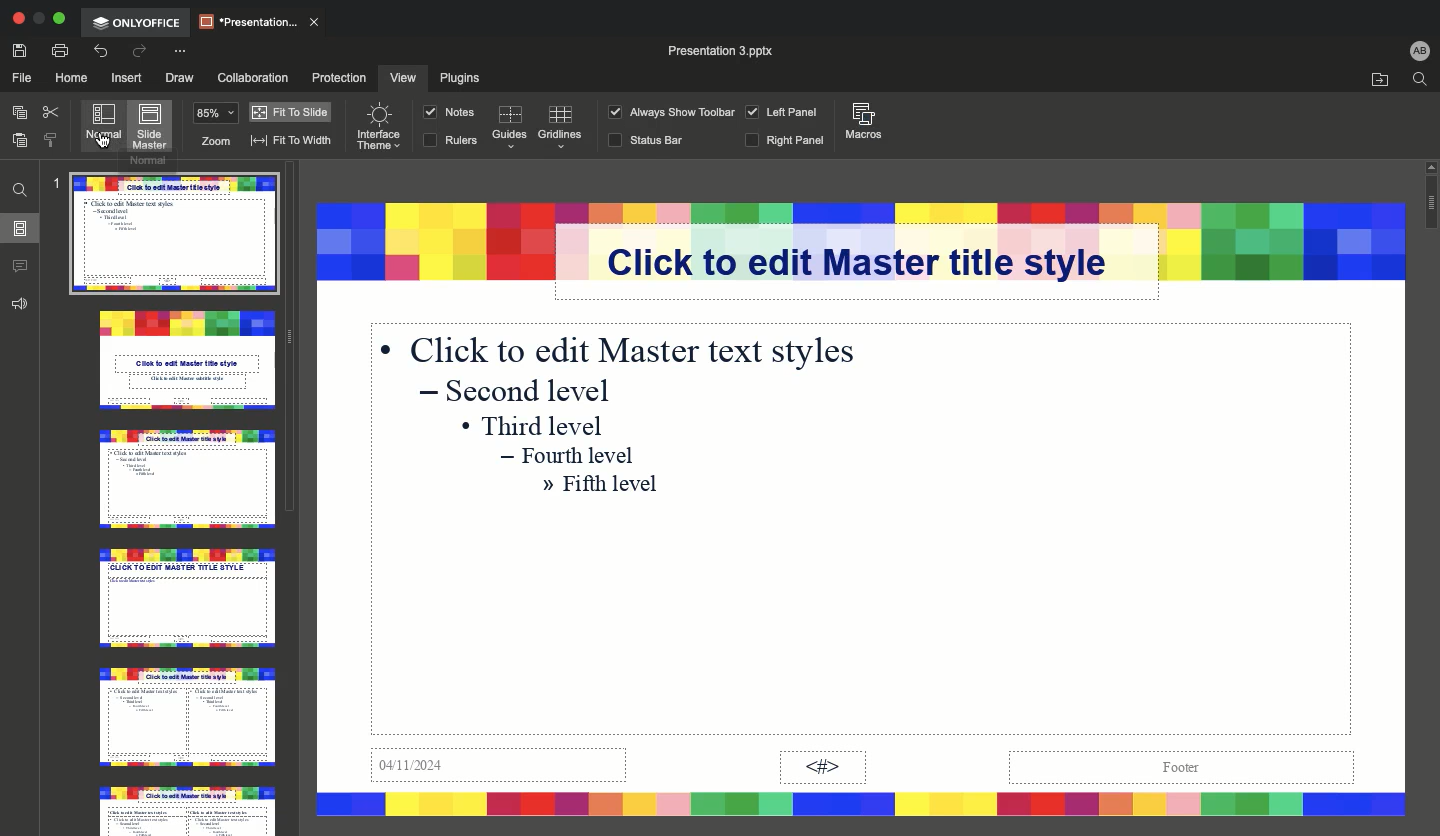 Image resolution: width=1440 pixels, height=836 pixels. What do you see at coordinates (786, 142) in the screenshot?
I see `Right panel` at bounding box center [786, 142].